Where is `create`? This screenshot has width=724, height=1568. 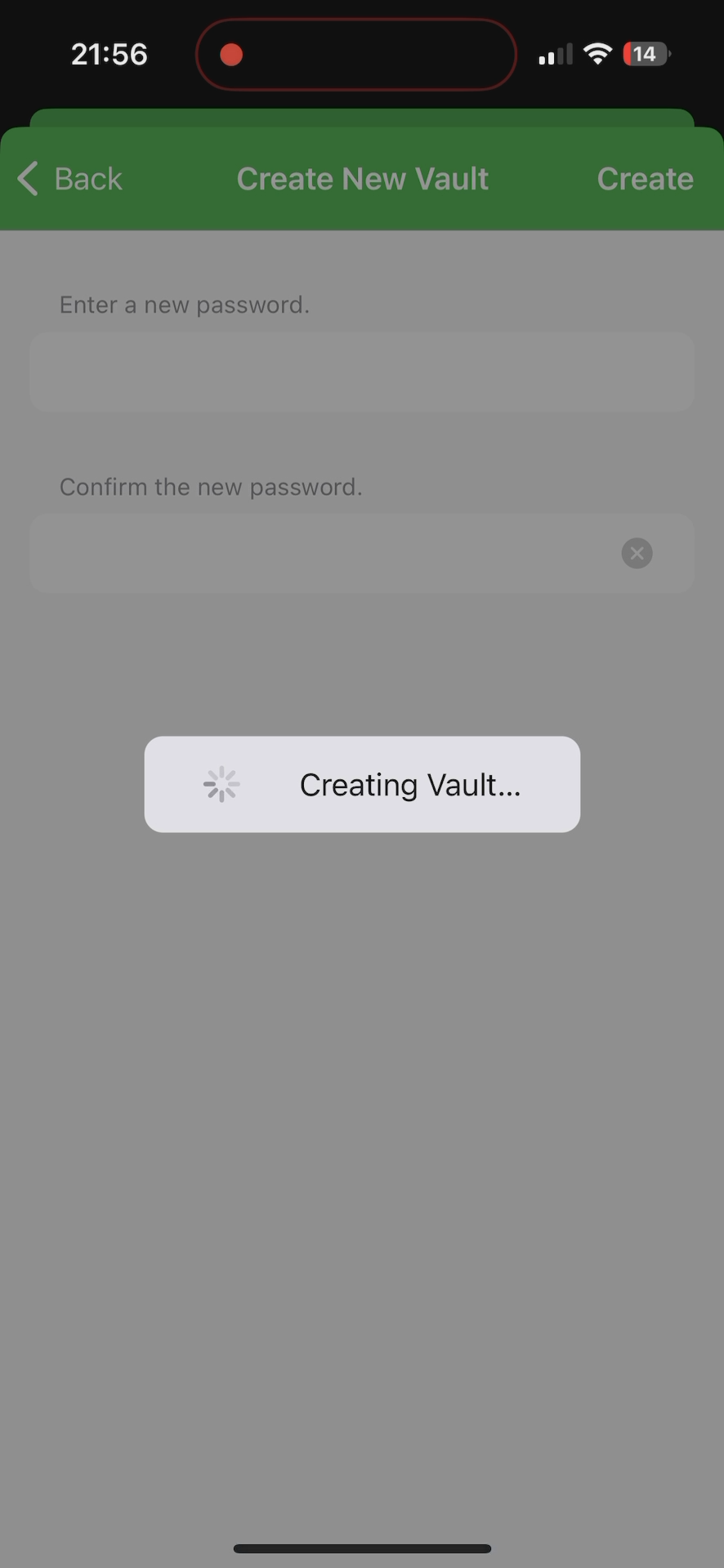 create is located at coordinates (646, 168).